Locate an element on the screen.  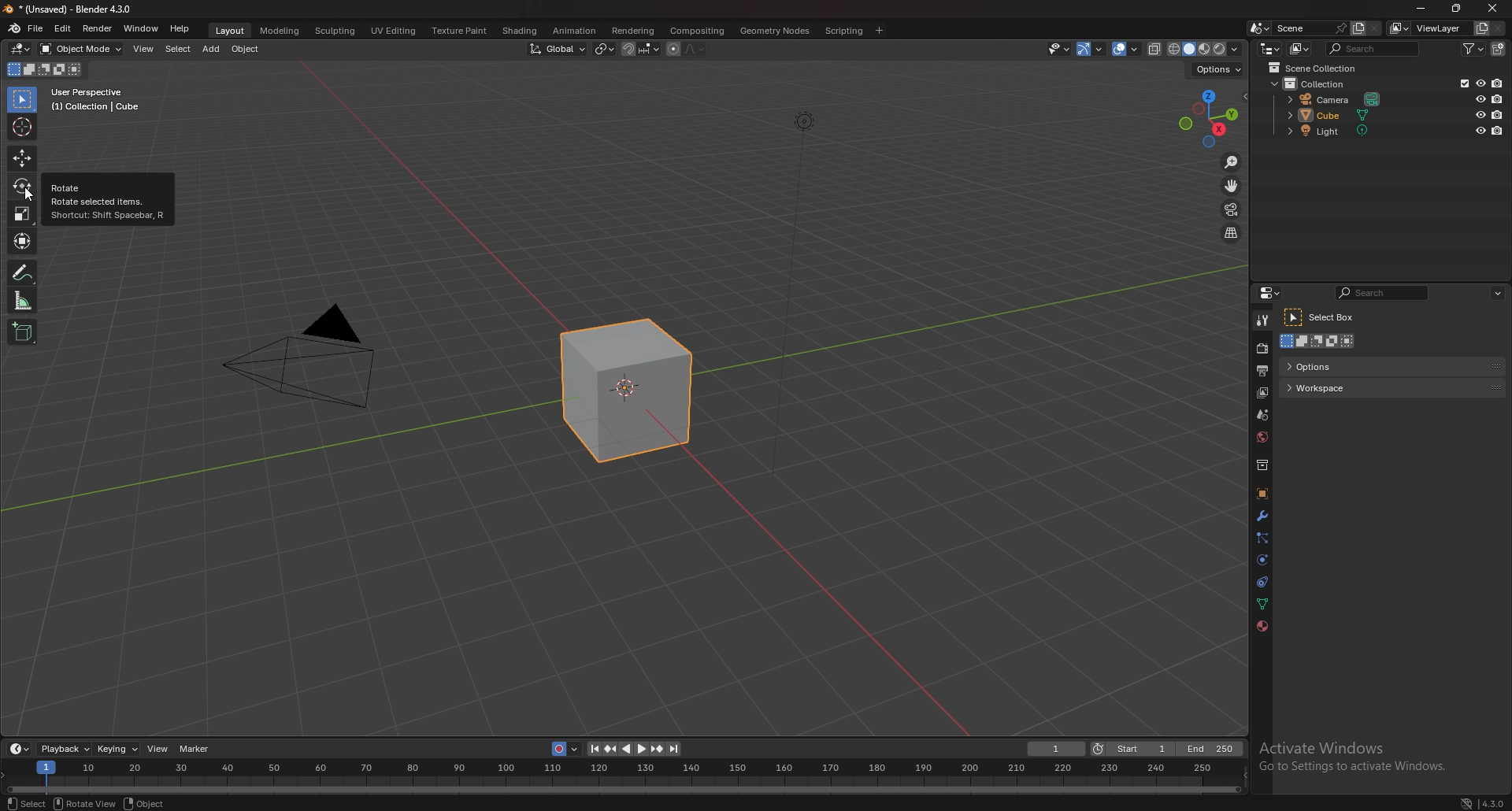
cube is located at coordinates (624, 389).